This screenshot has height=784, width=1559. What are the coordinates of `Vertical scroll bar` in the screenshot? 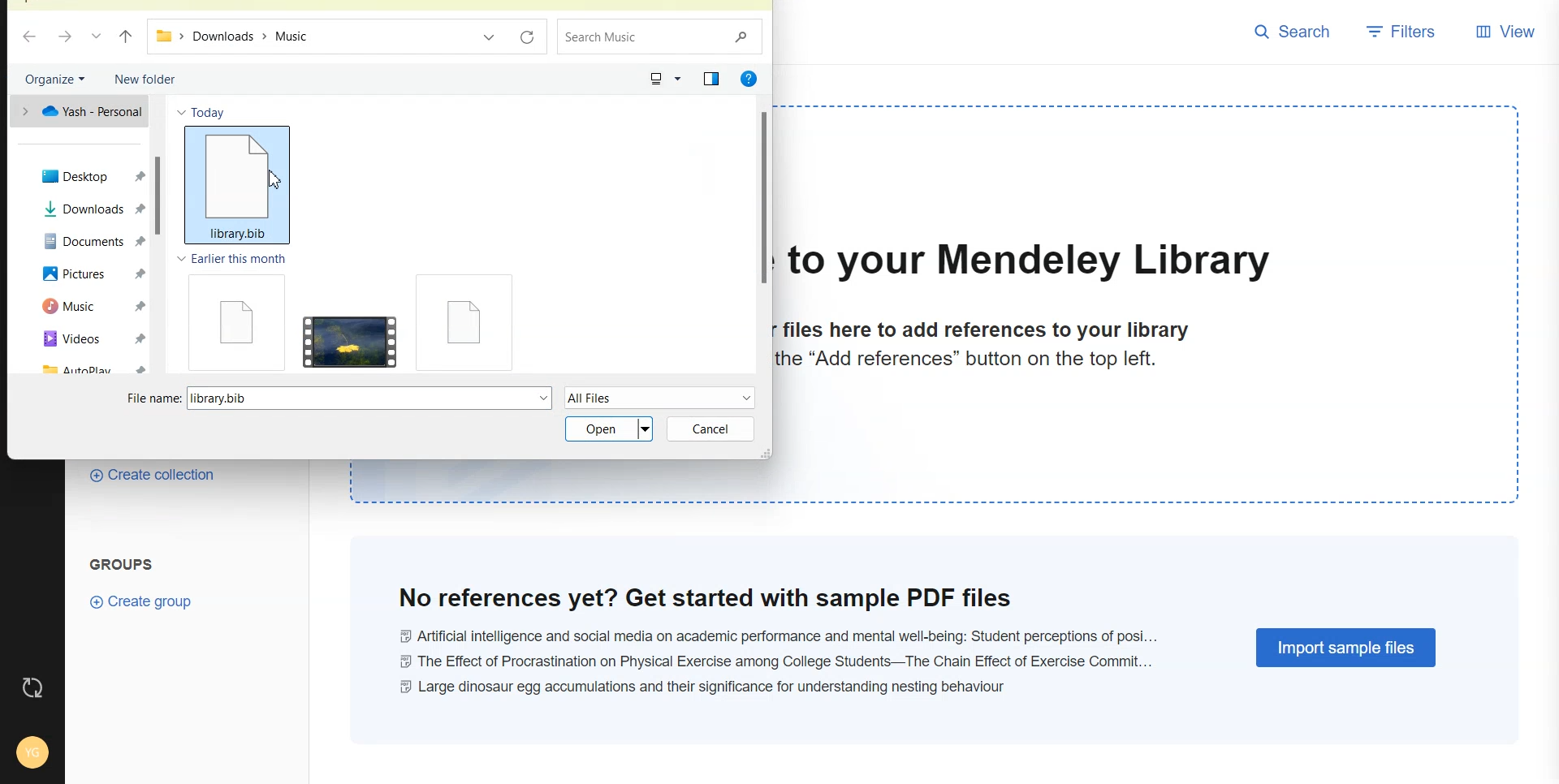 It's located at (159, 234).